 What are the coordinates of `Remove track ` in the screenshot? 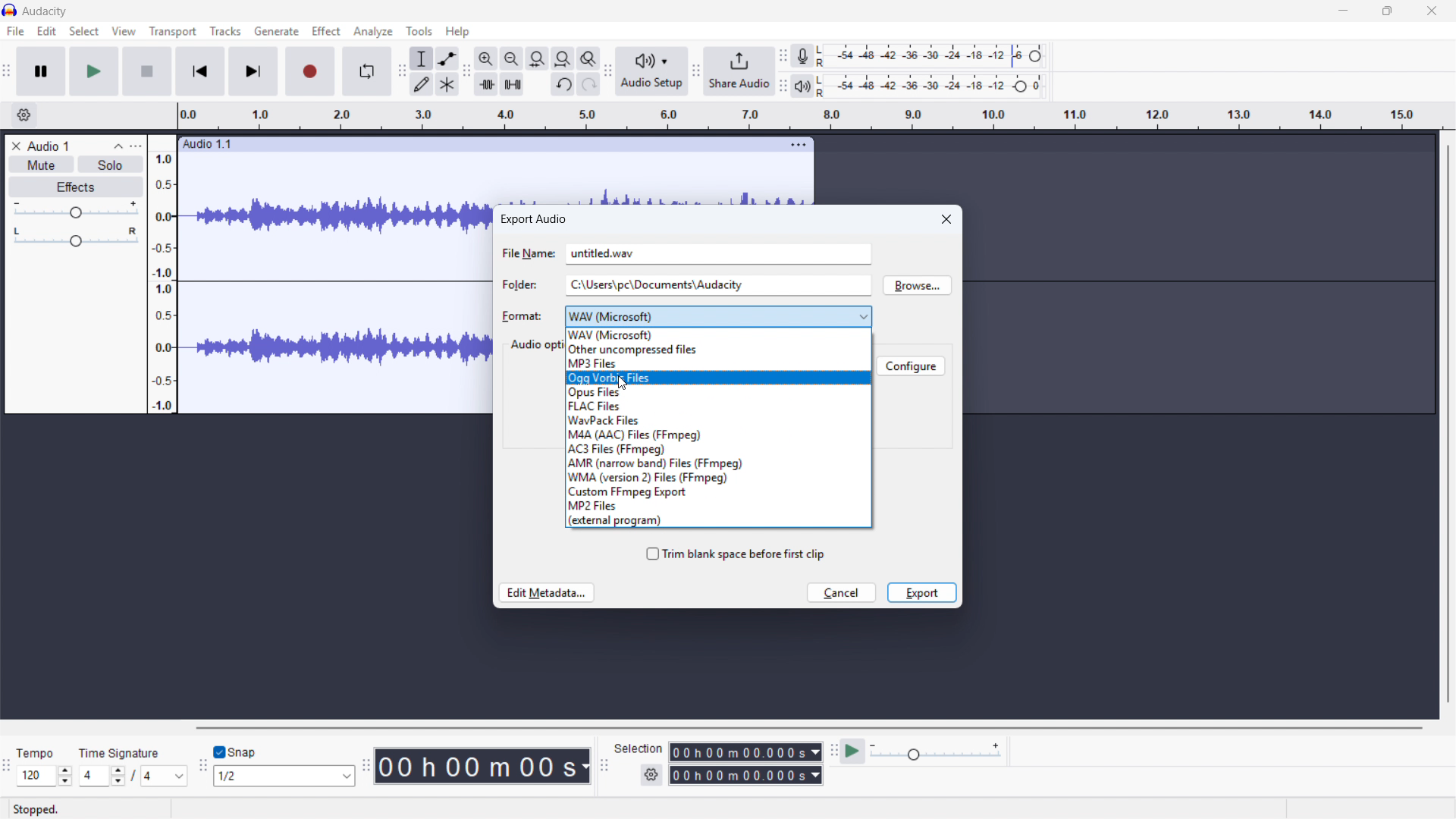 It's located at (17, 146).